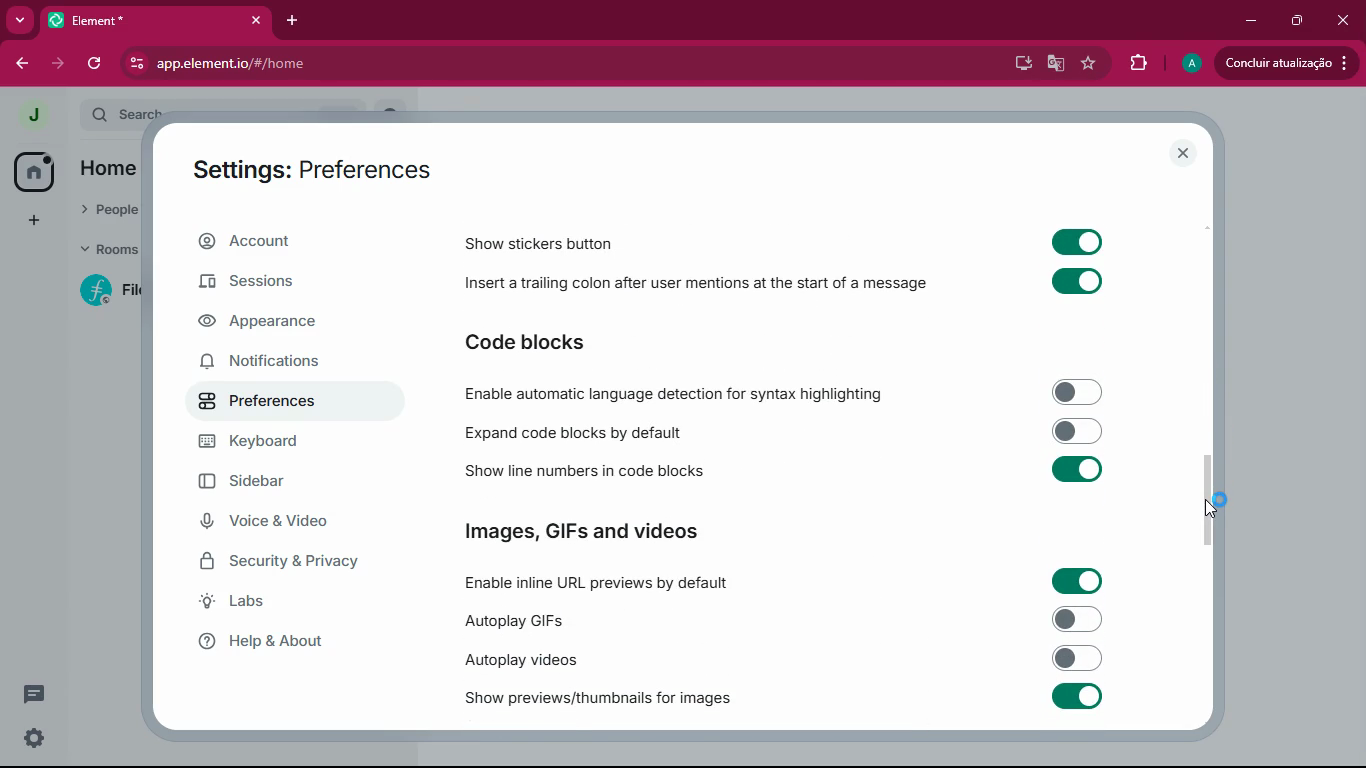 Image resolution: width=1366 pixels, height=768 pixels. I want to click on Cursor, so click(1217, 507).